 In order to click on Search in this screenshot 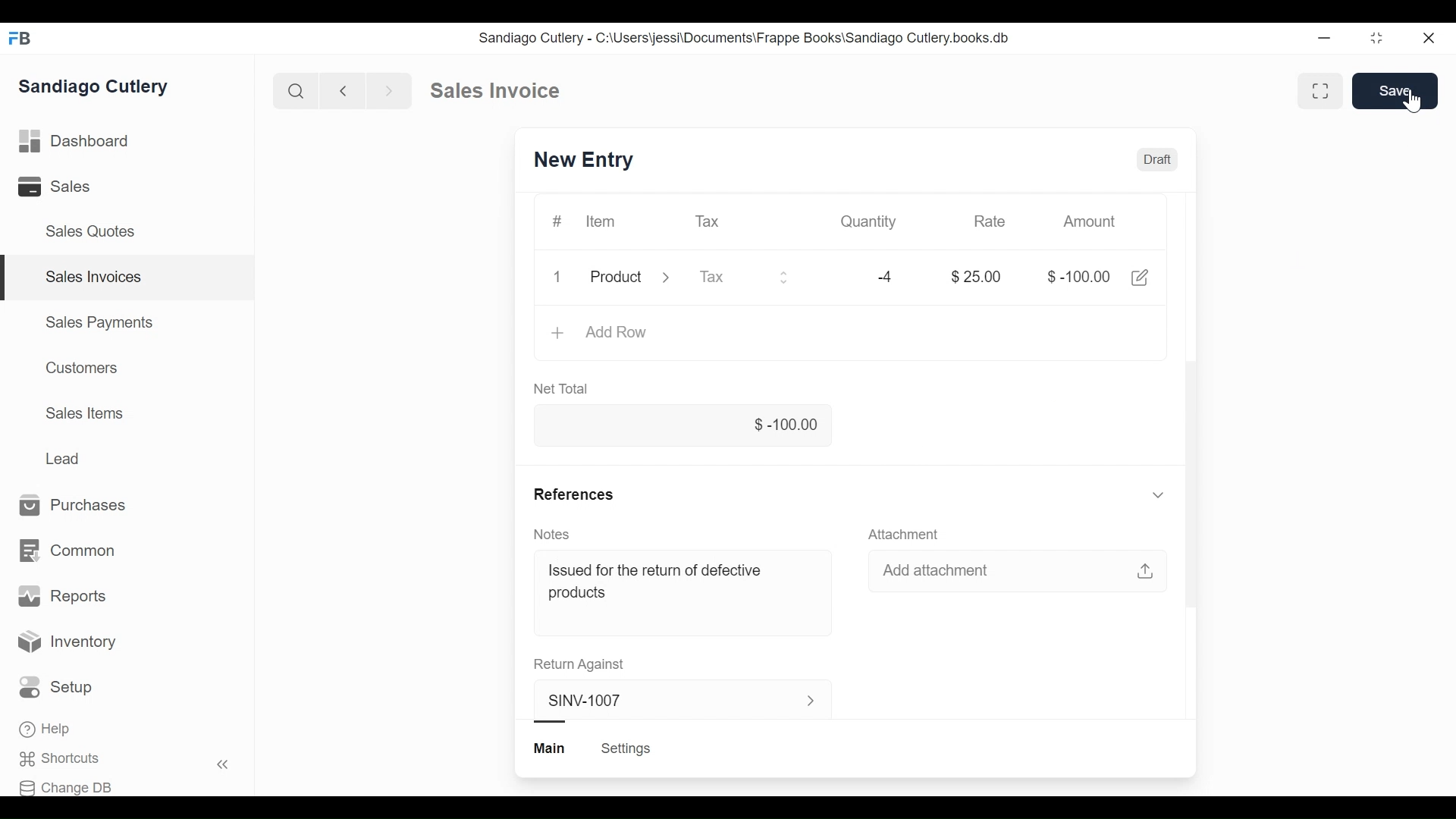, I will do `click(296, 89)`.